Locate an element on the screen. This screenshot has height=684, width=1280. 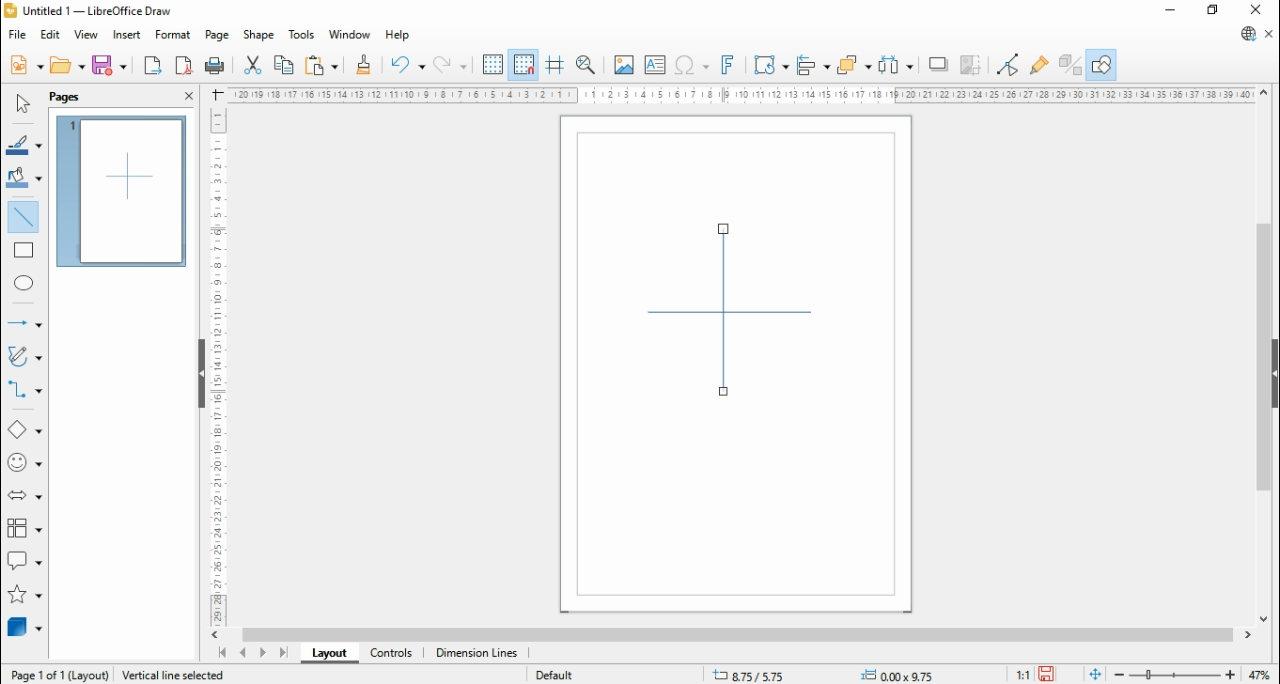
Scale is located at coordinates (738, 94).